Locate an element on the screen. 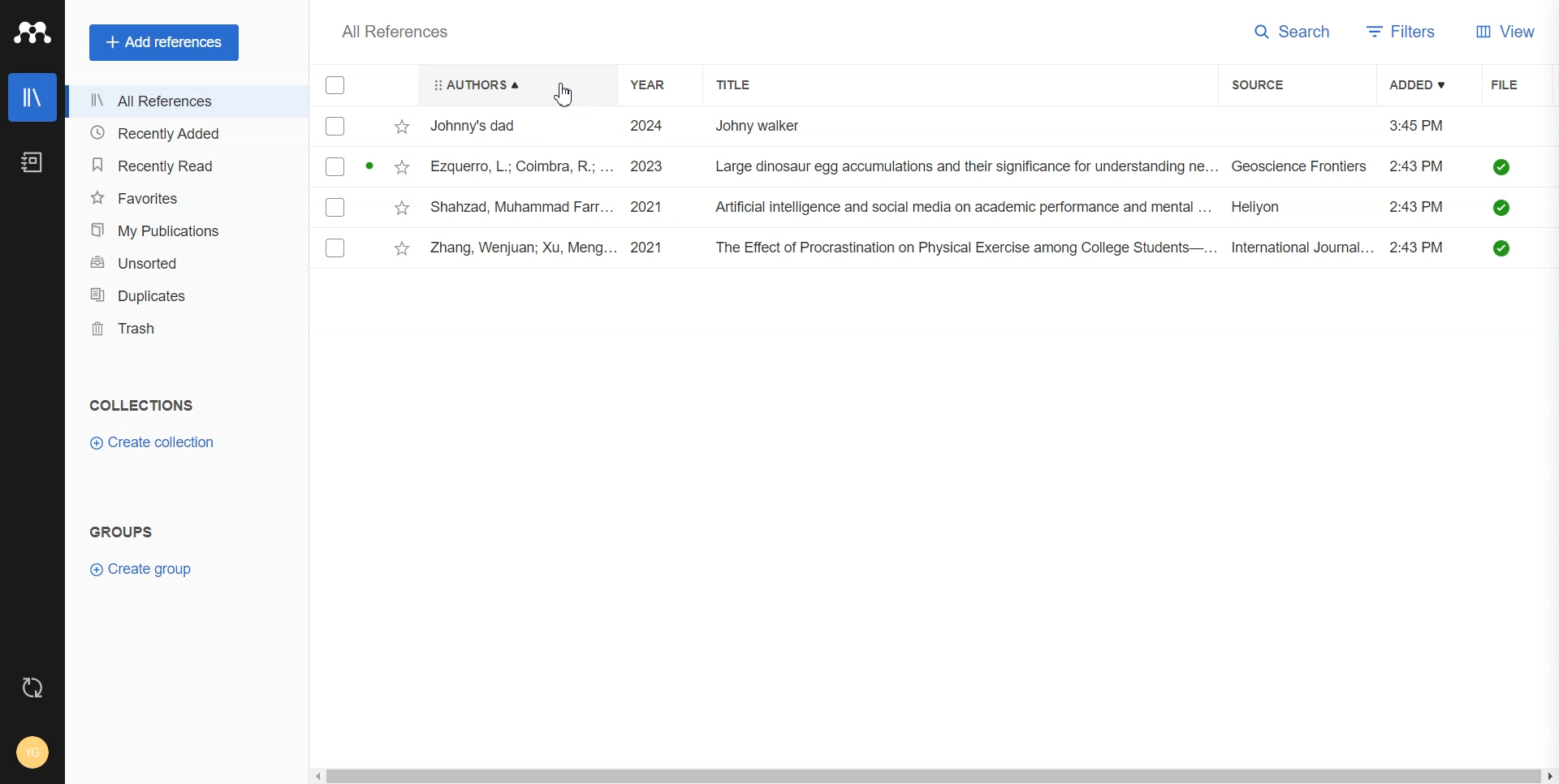 This screenshot has width=1559, height=784. (un)select is located at coordinates (335, 167).